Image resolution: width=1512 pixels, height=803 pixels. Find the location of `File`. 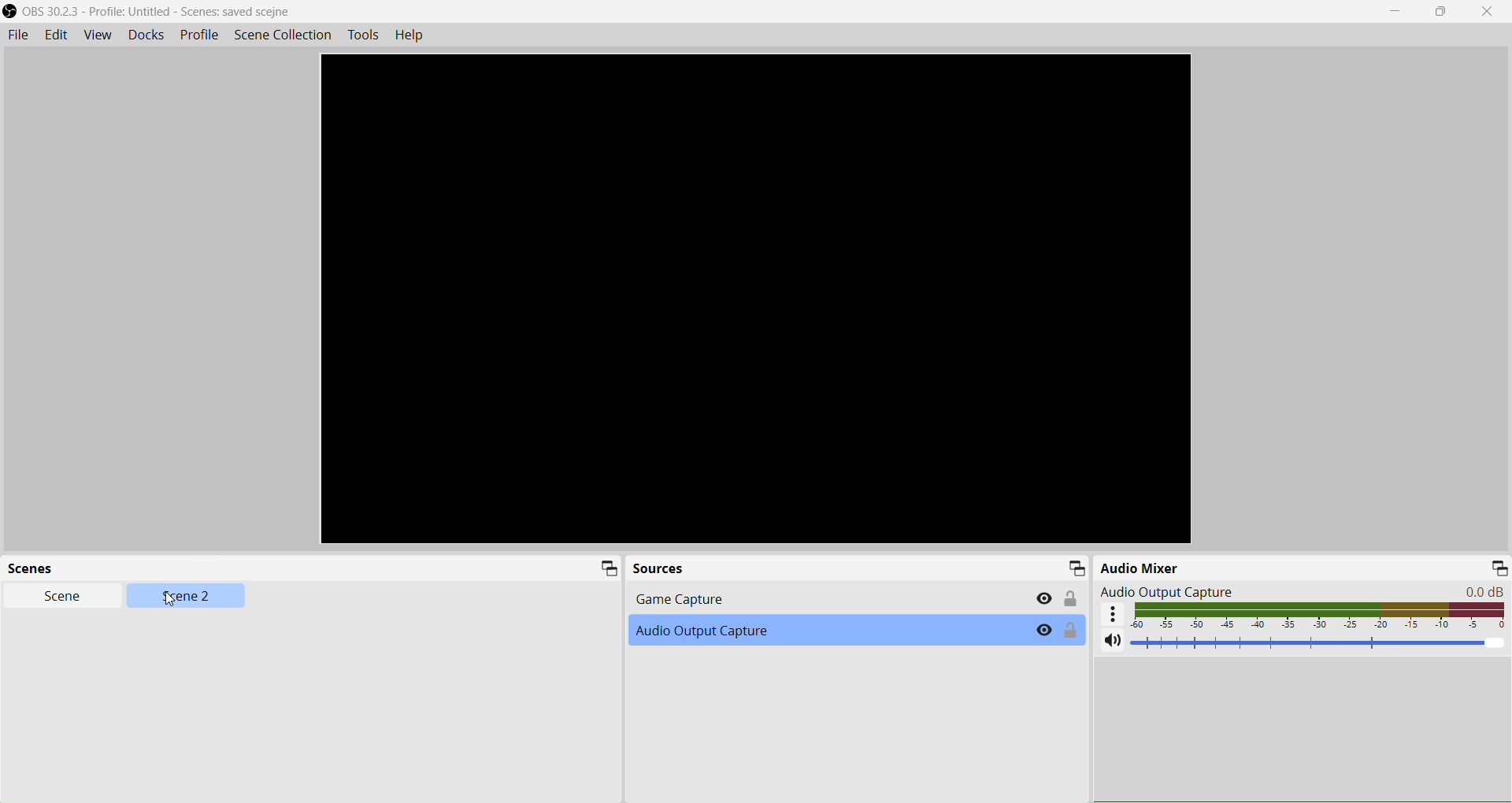

File is located at coordinates (17, 35).